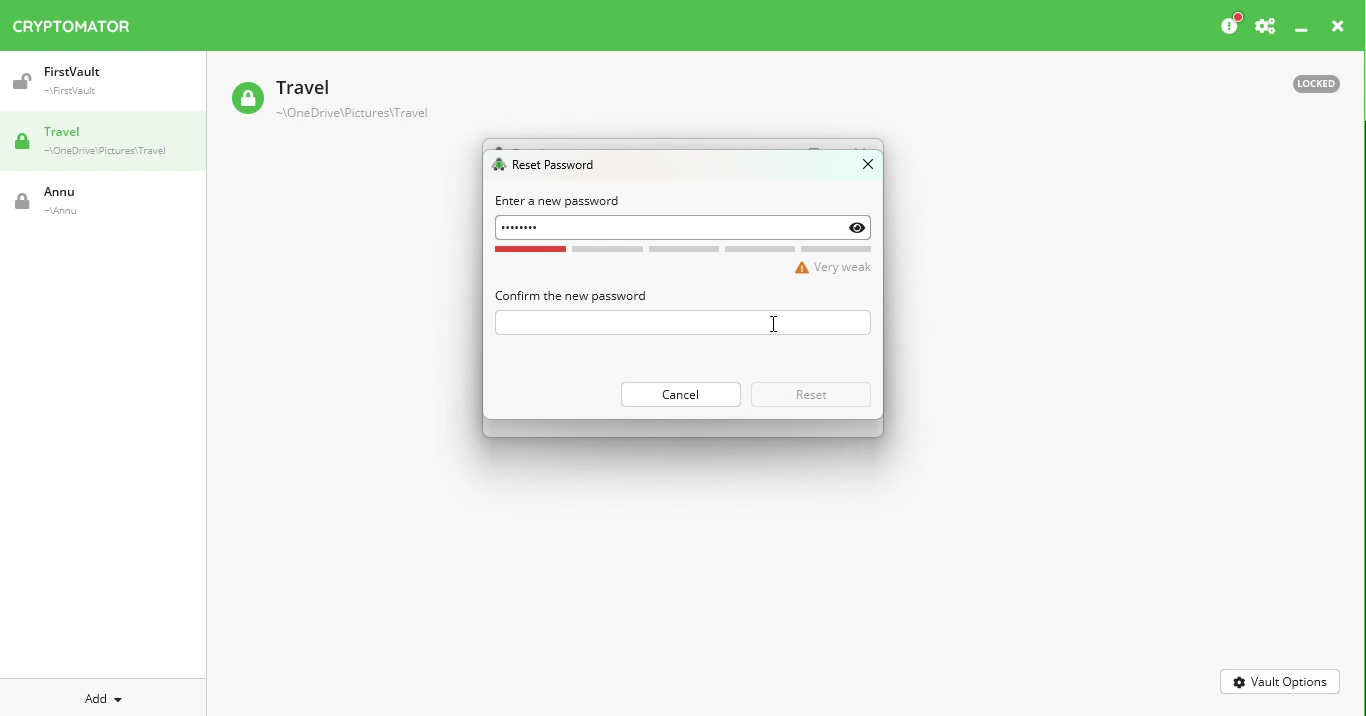 The image size is (1366, 716). What do you see at coordinates (110, 143) in the screenshot?
I see `Travel` at bounding box center [110, 143].